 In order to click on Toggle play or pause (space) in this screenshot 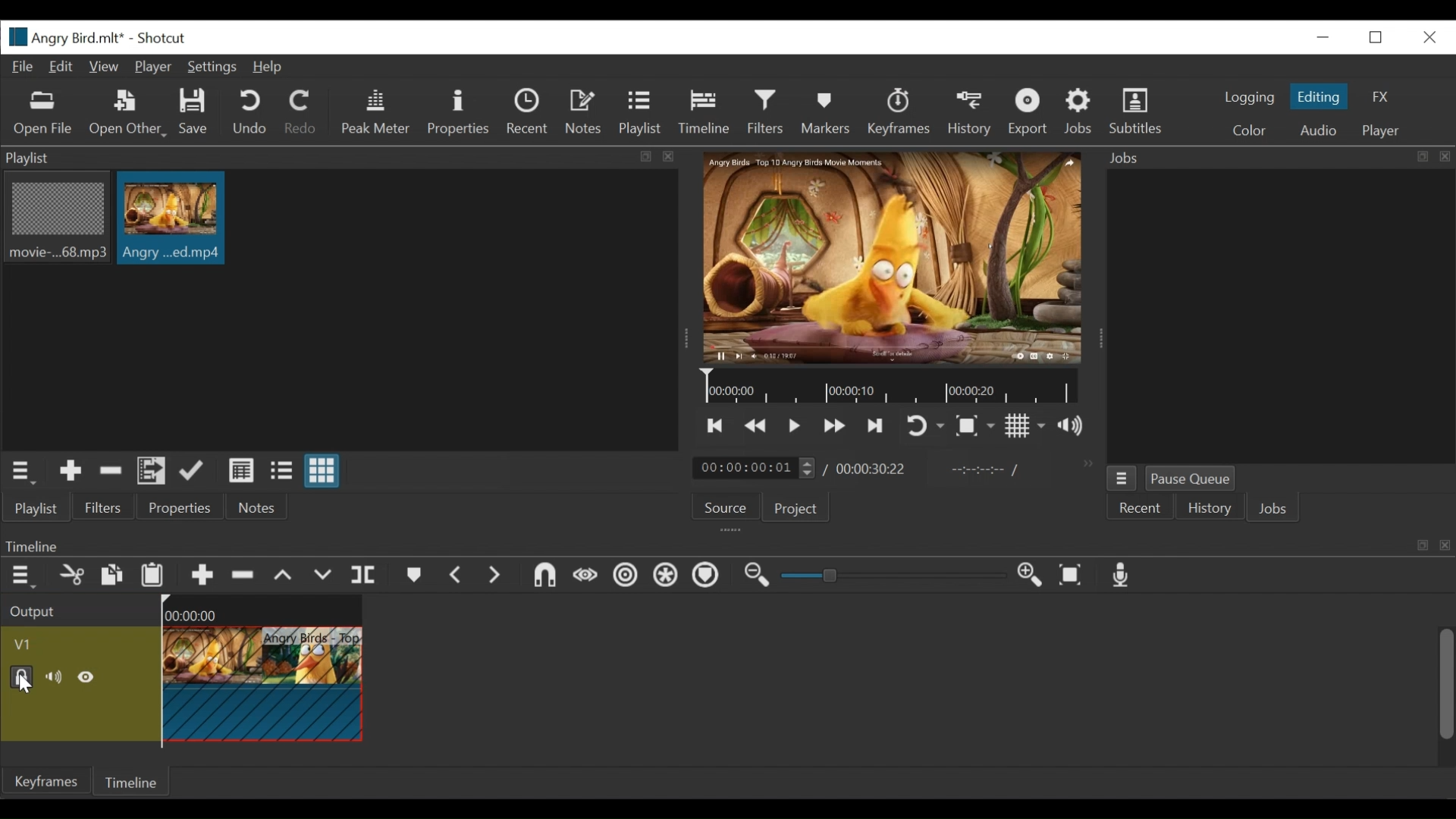, I will do `click(794, 426)`.